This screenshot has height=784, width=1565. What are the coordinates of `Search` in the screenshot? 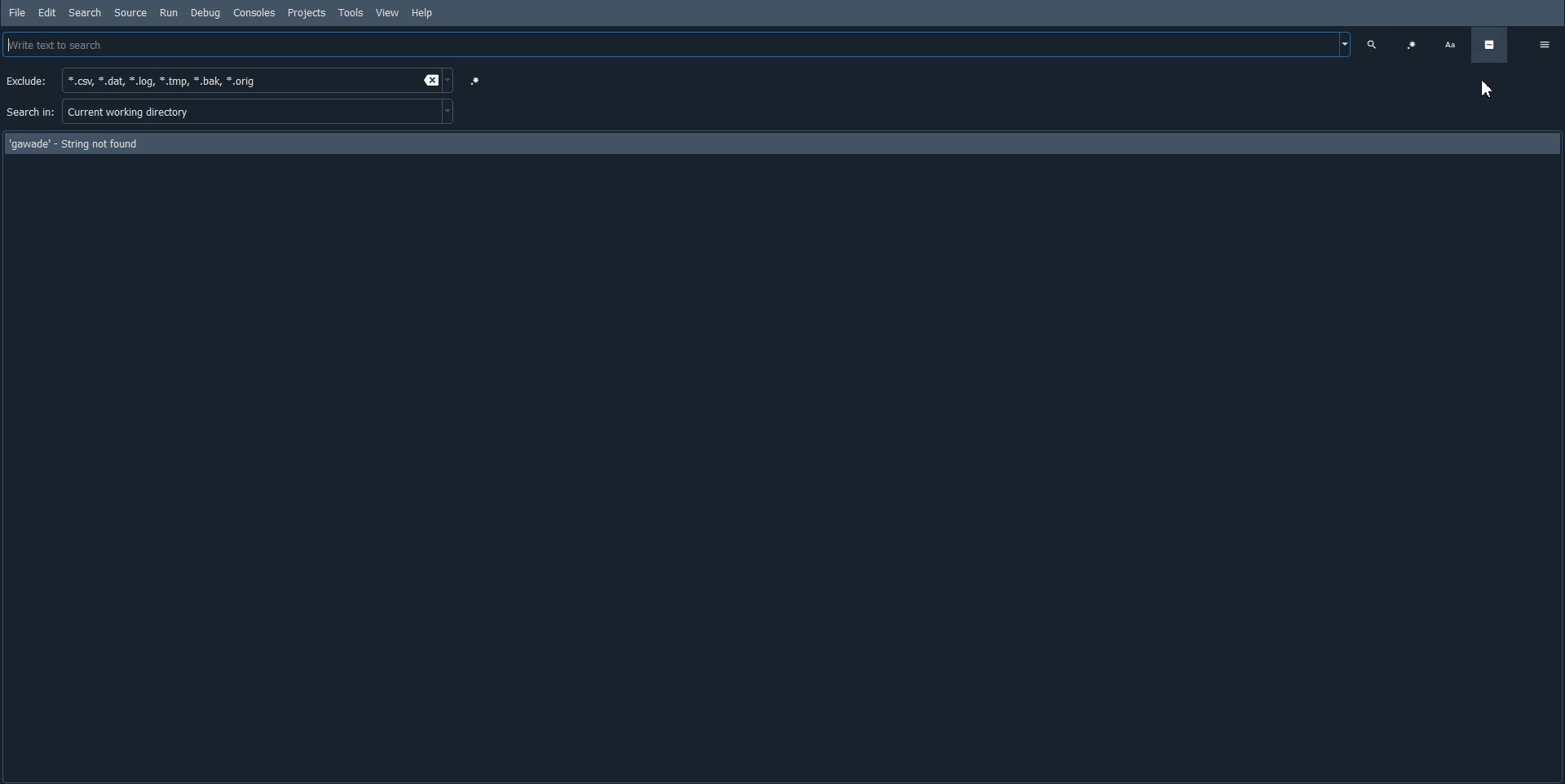 It's located at (86, 13).